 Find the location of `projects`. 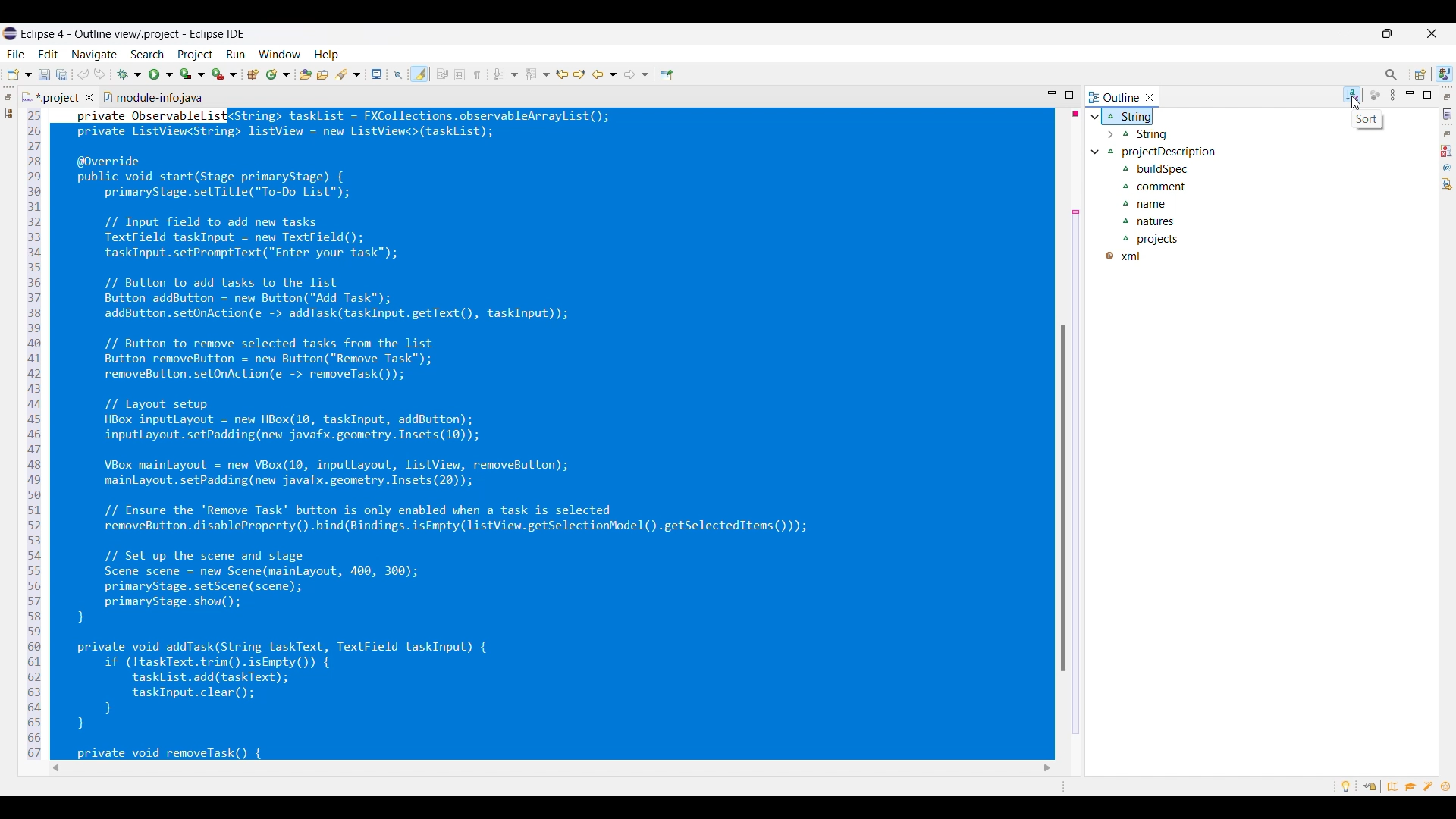

projects is located at coordinates (1154, 240).